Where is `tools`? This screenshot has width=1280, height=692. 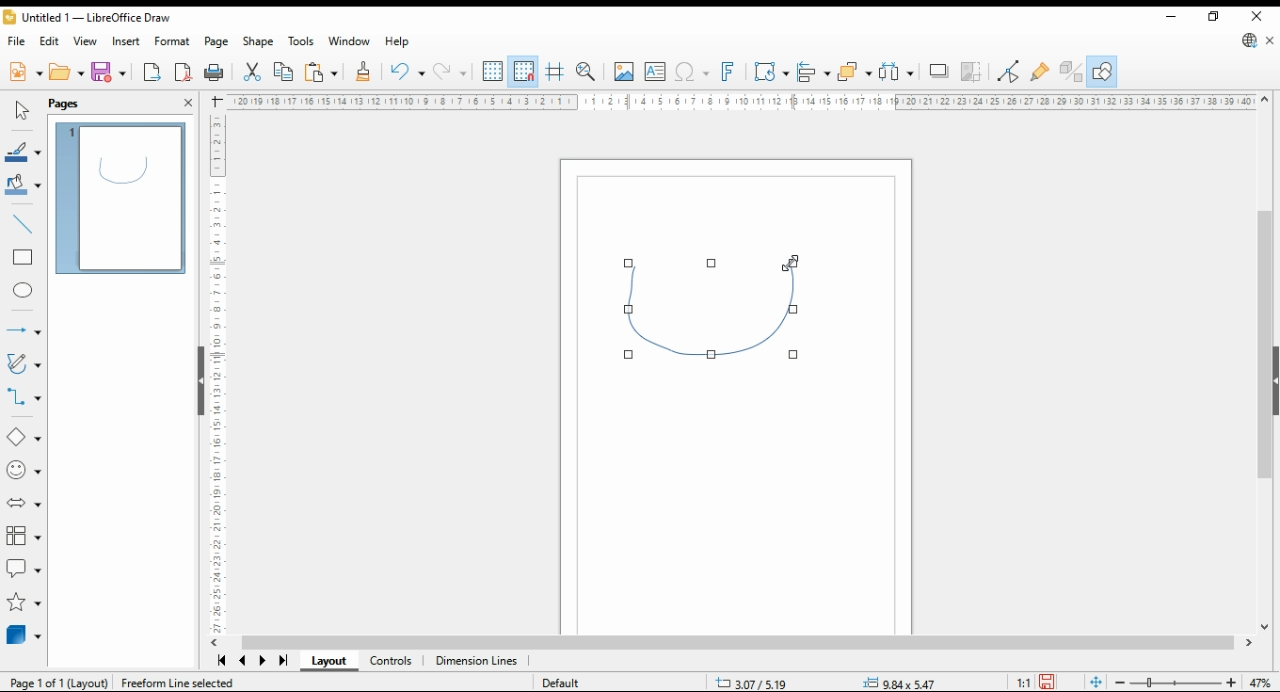 tools is located at coordinates (302, 41).